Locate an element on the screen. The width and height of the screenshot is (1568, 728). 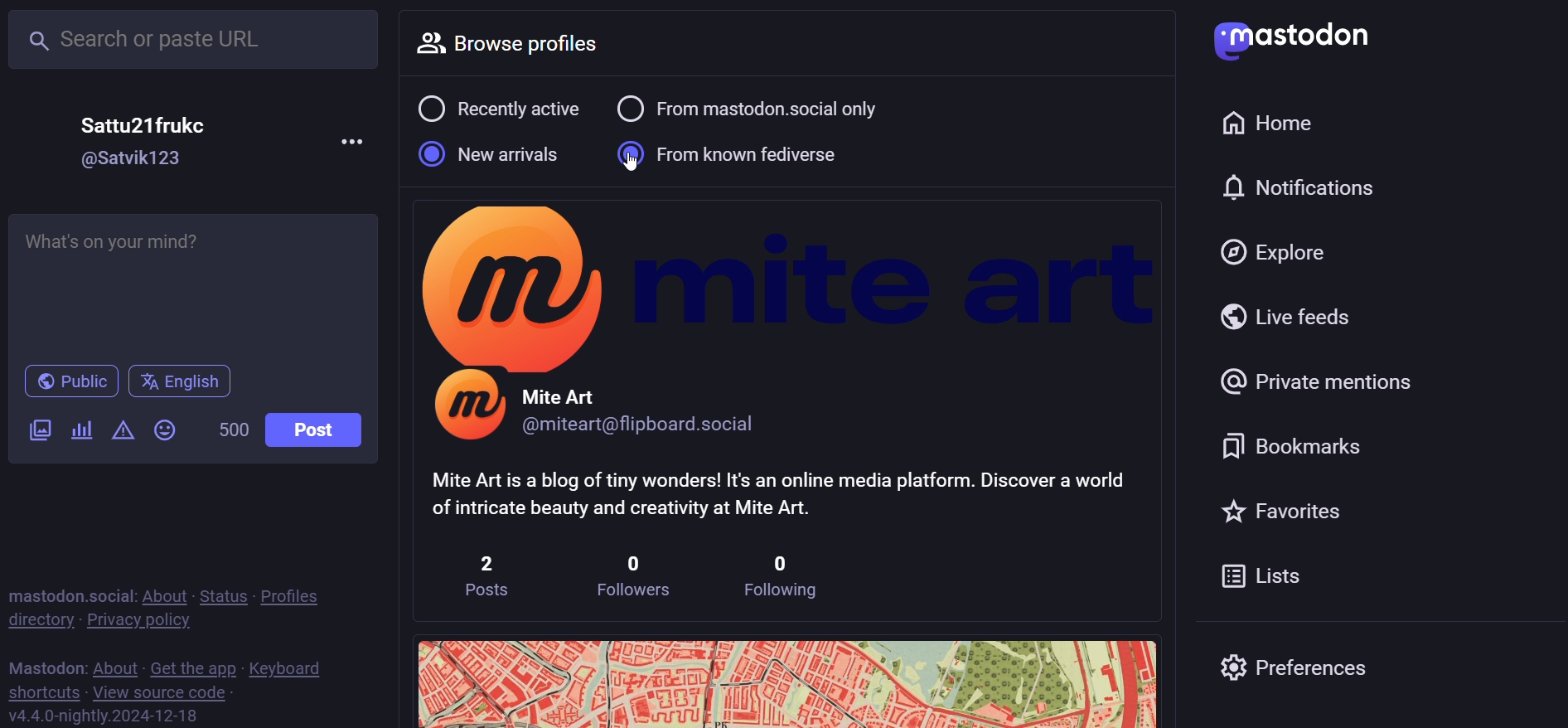
emoji is located at coordinates (163, 431).